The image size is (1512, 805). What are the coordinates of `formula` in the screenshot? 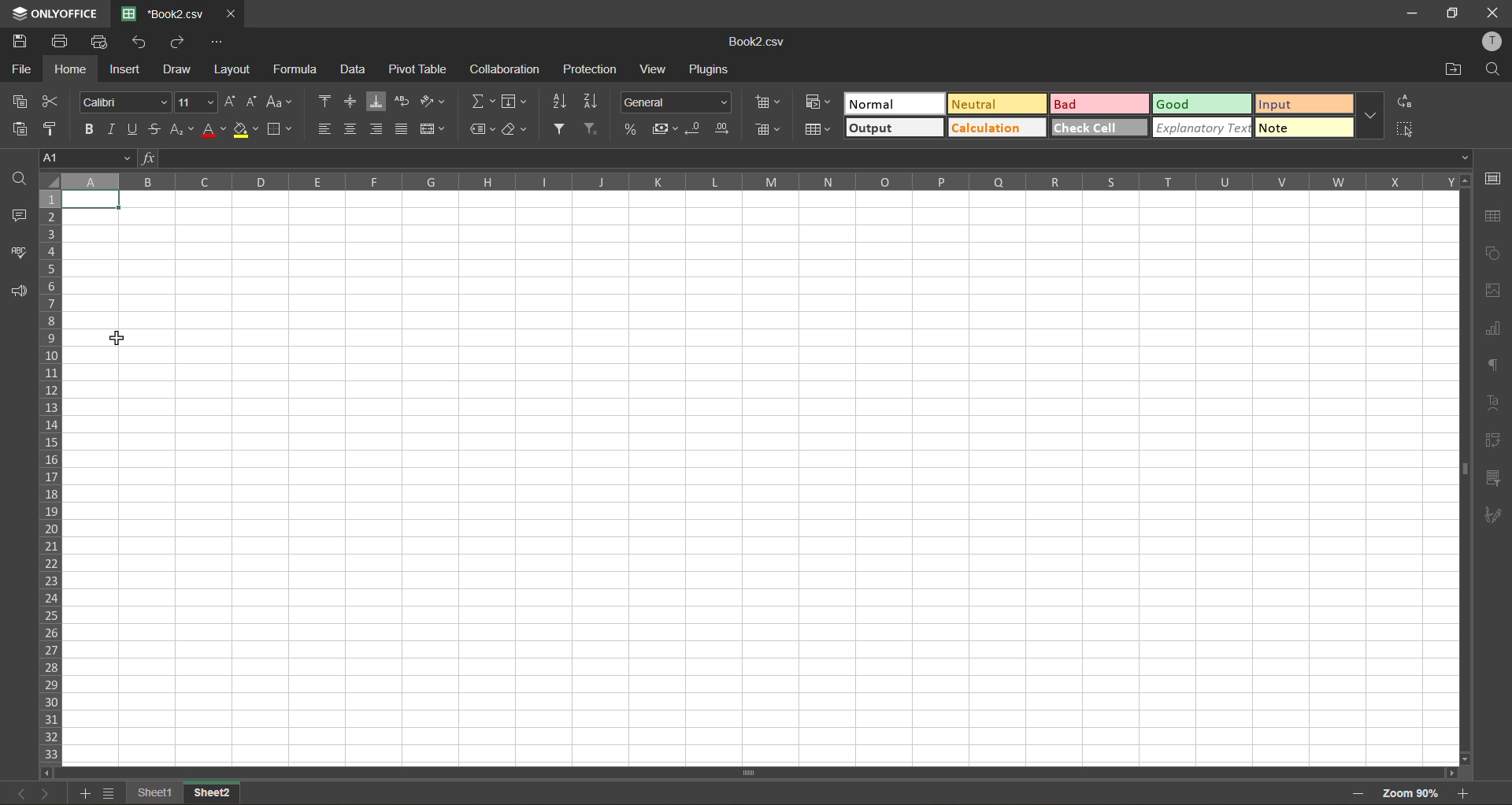 It's located at (302, 70).